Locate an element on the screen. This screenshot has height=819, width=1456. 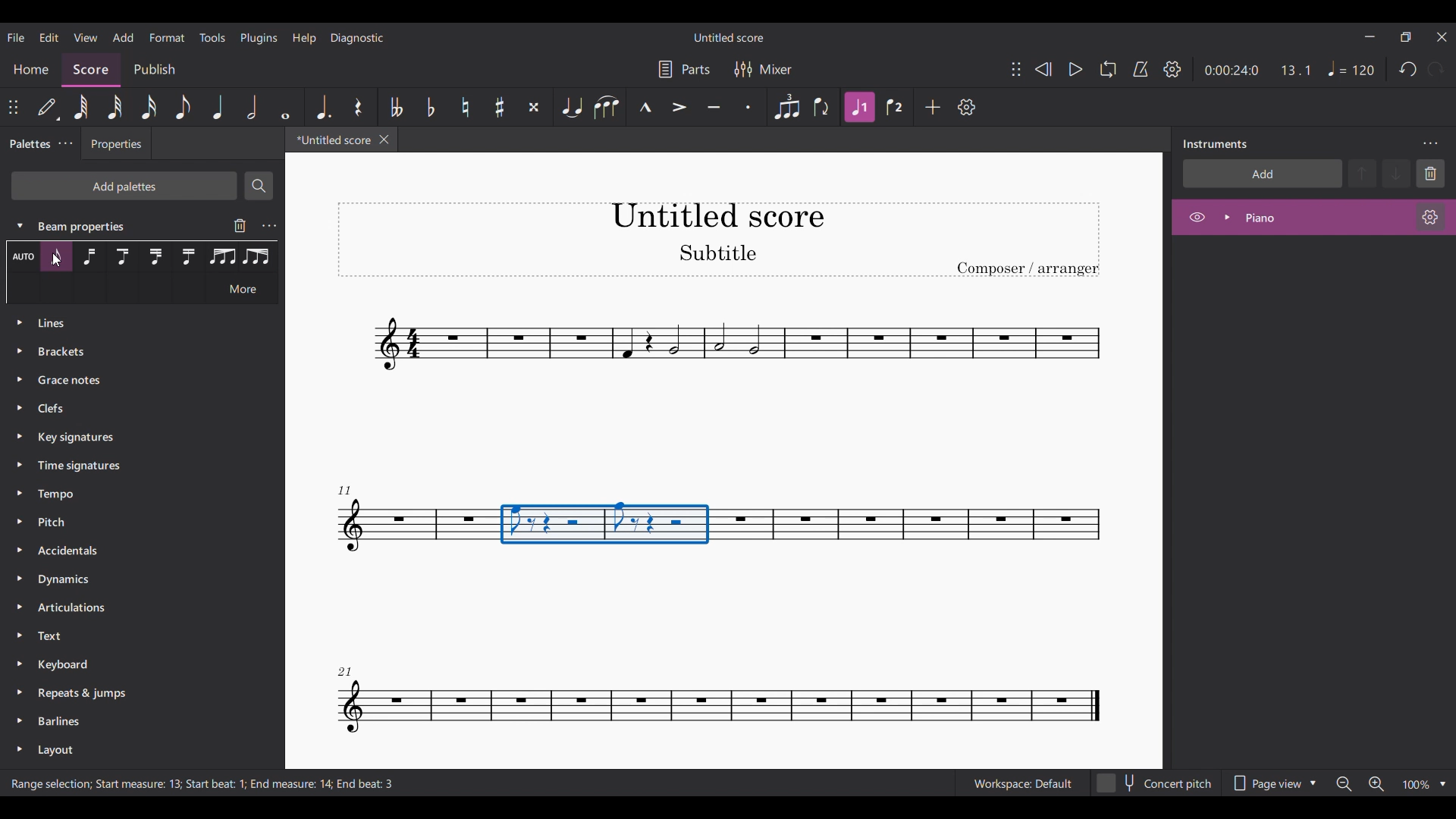
16th note is located at coordinates (148, 107).